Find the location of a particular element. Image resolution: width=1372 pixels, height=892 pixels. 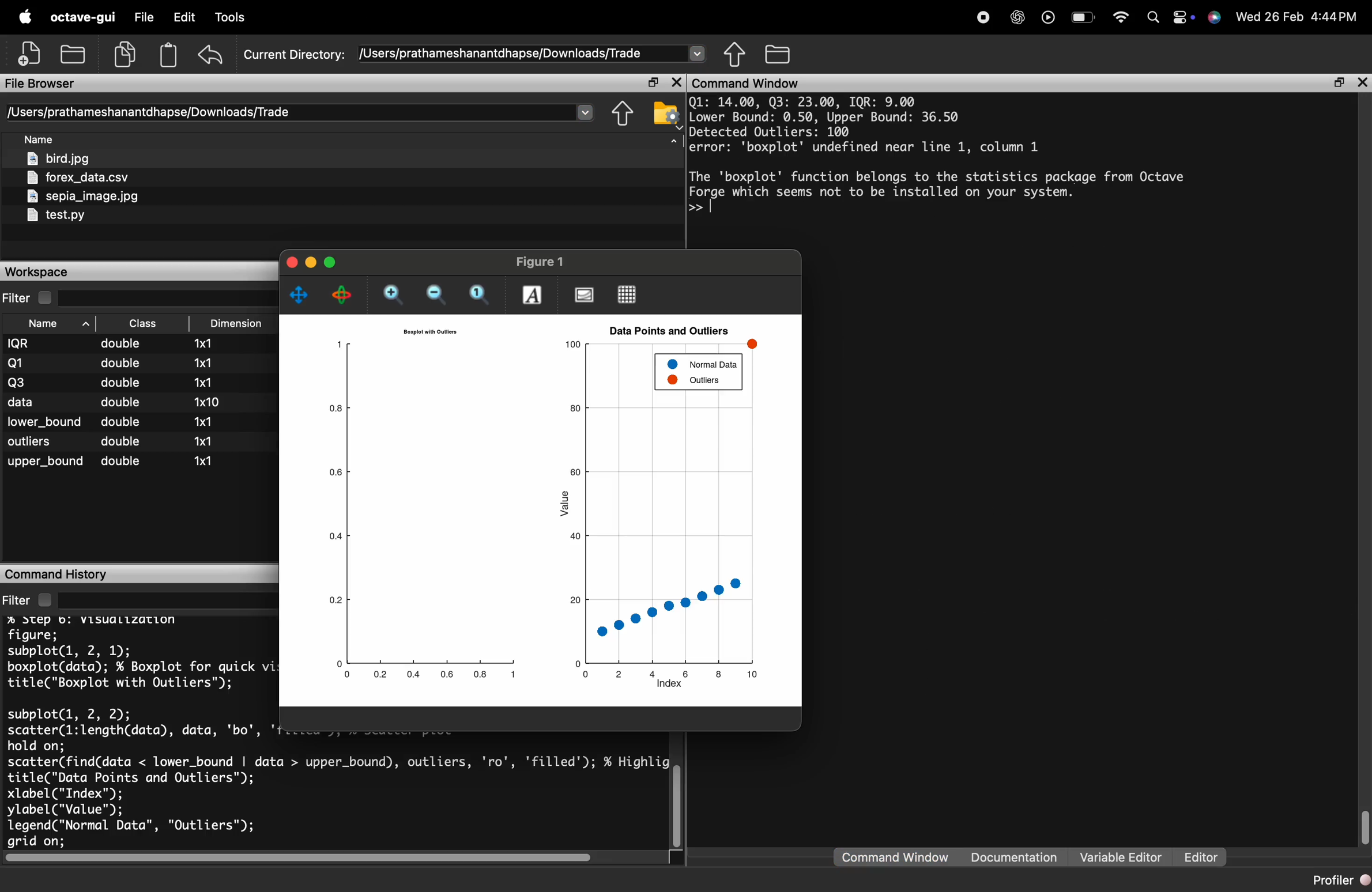

copy is located at coordinates (125, 54).